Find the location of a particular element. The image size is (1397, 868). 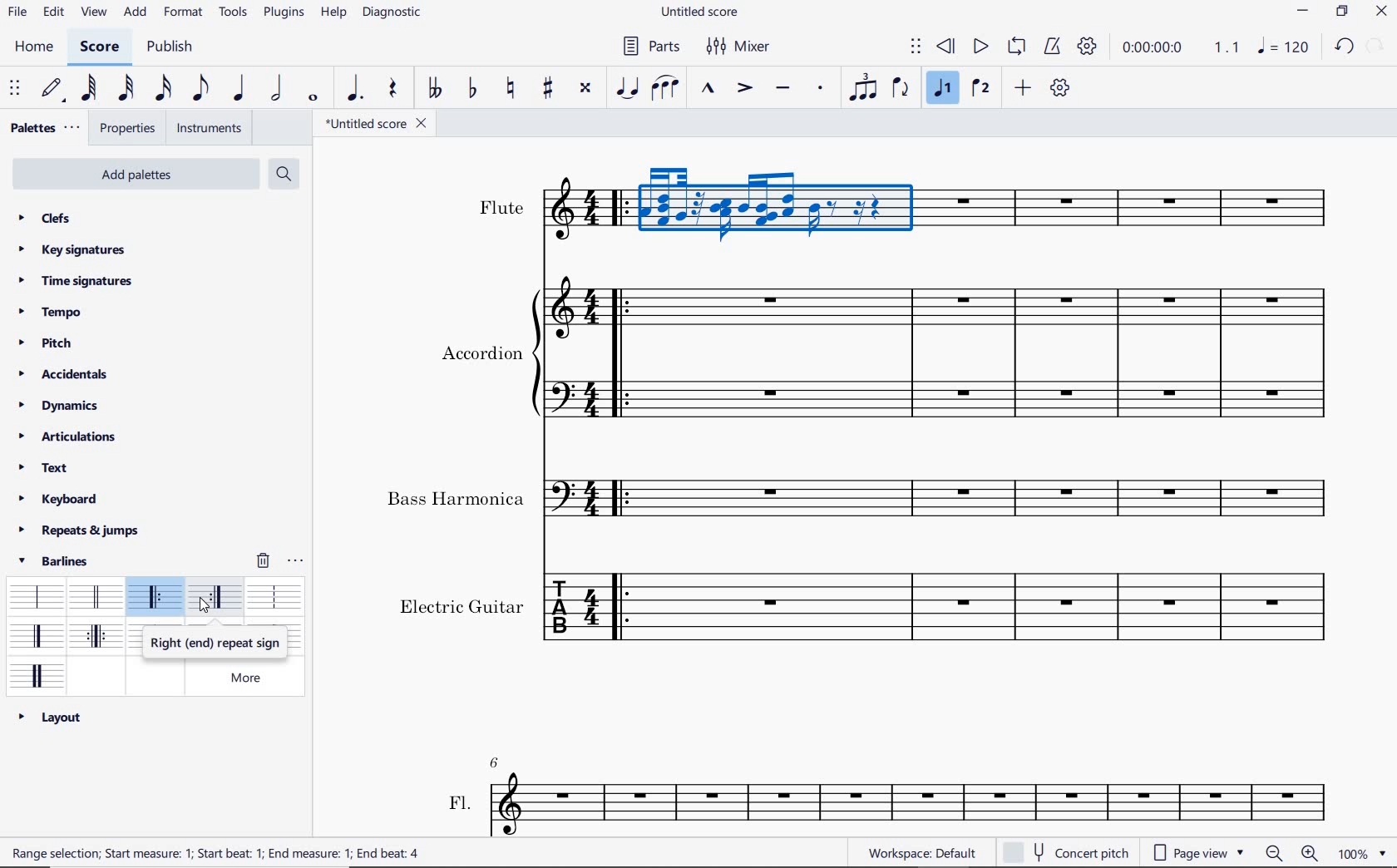

toggle sharp is located at coordinates (550, 89).